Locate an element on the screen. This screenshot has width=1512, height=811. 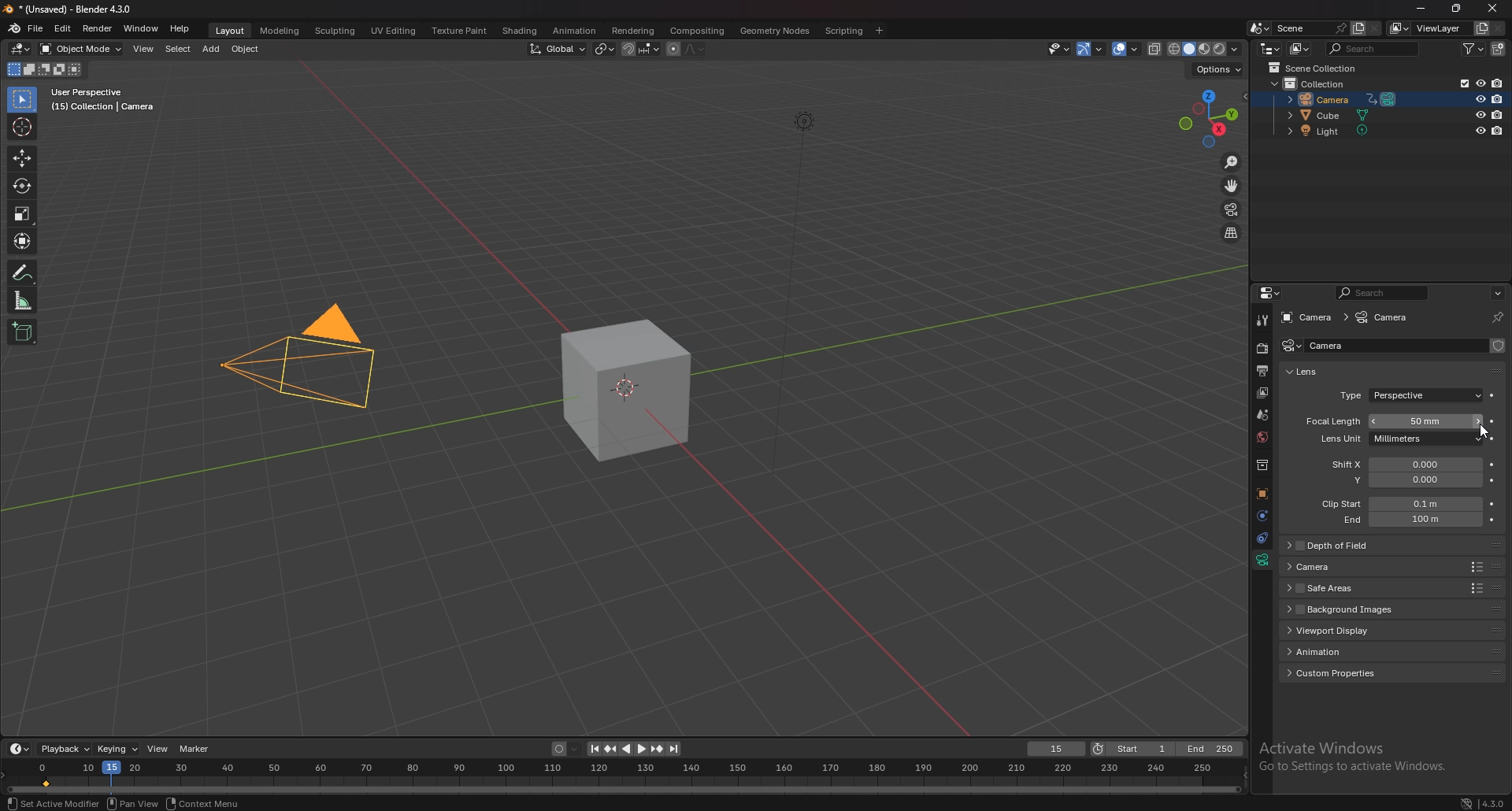
edit is located at coordinates (64, 28).